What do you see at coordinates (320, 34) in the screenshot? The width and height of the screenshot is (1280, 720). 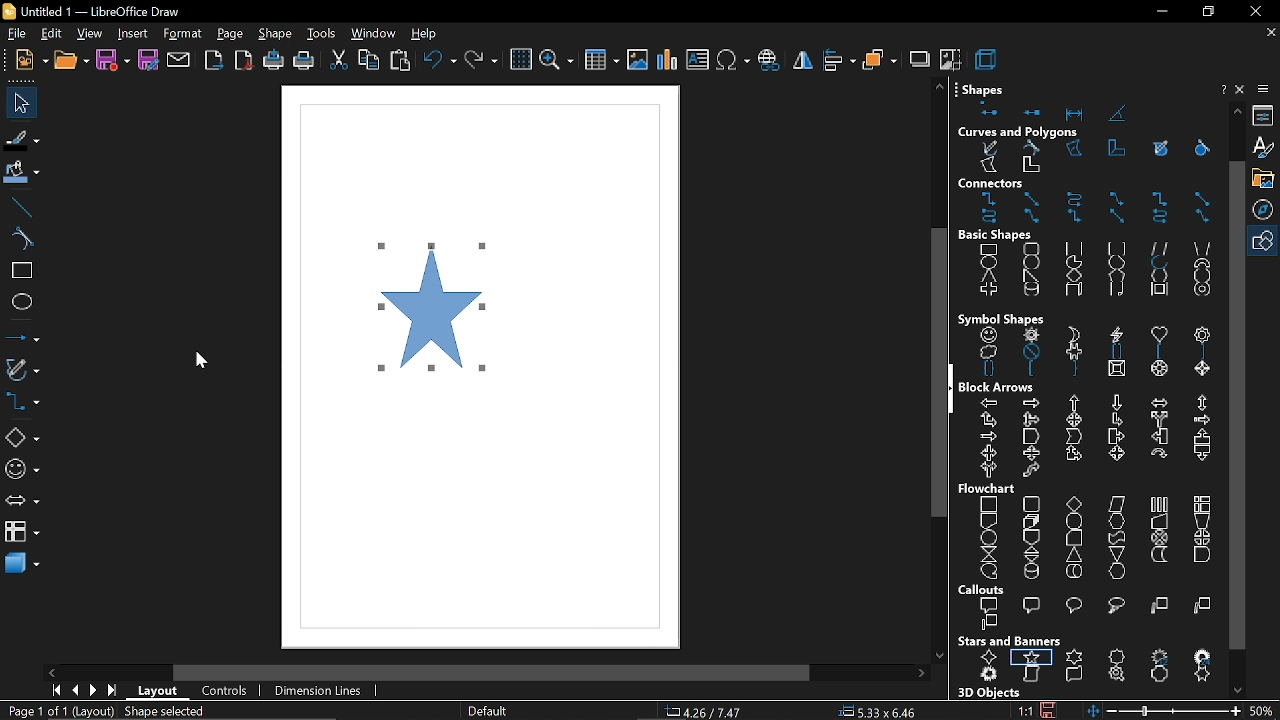 I see `tools` at bounding box center [320, 34].